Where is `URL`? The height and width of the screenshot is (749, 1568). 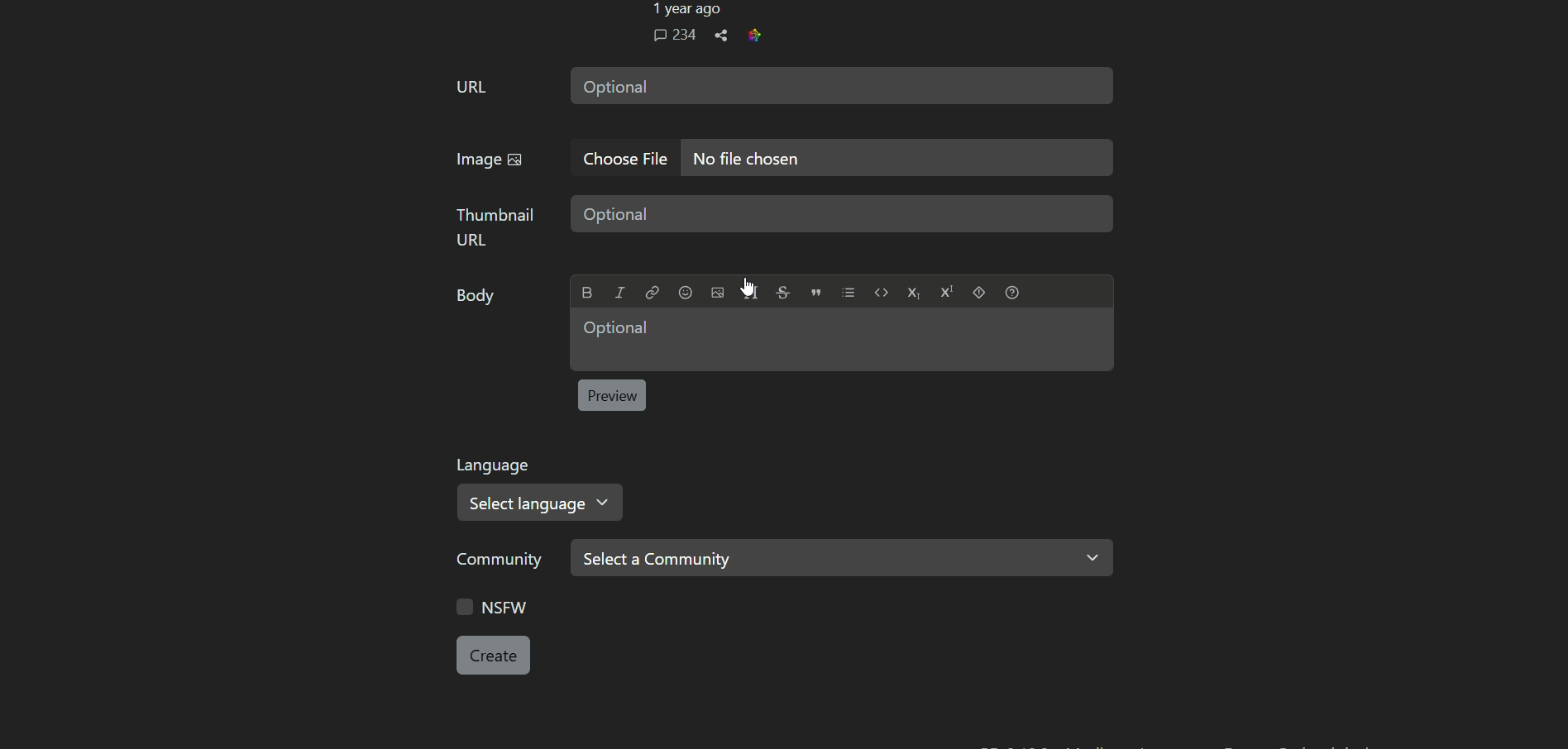
URL is located at coordinates (471, 86).